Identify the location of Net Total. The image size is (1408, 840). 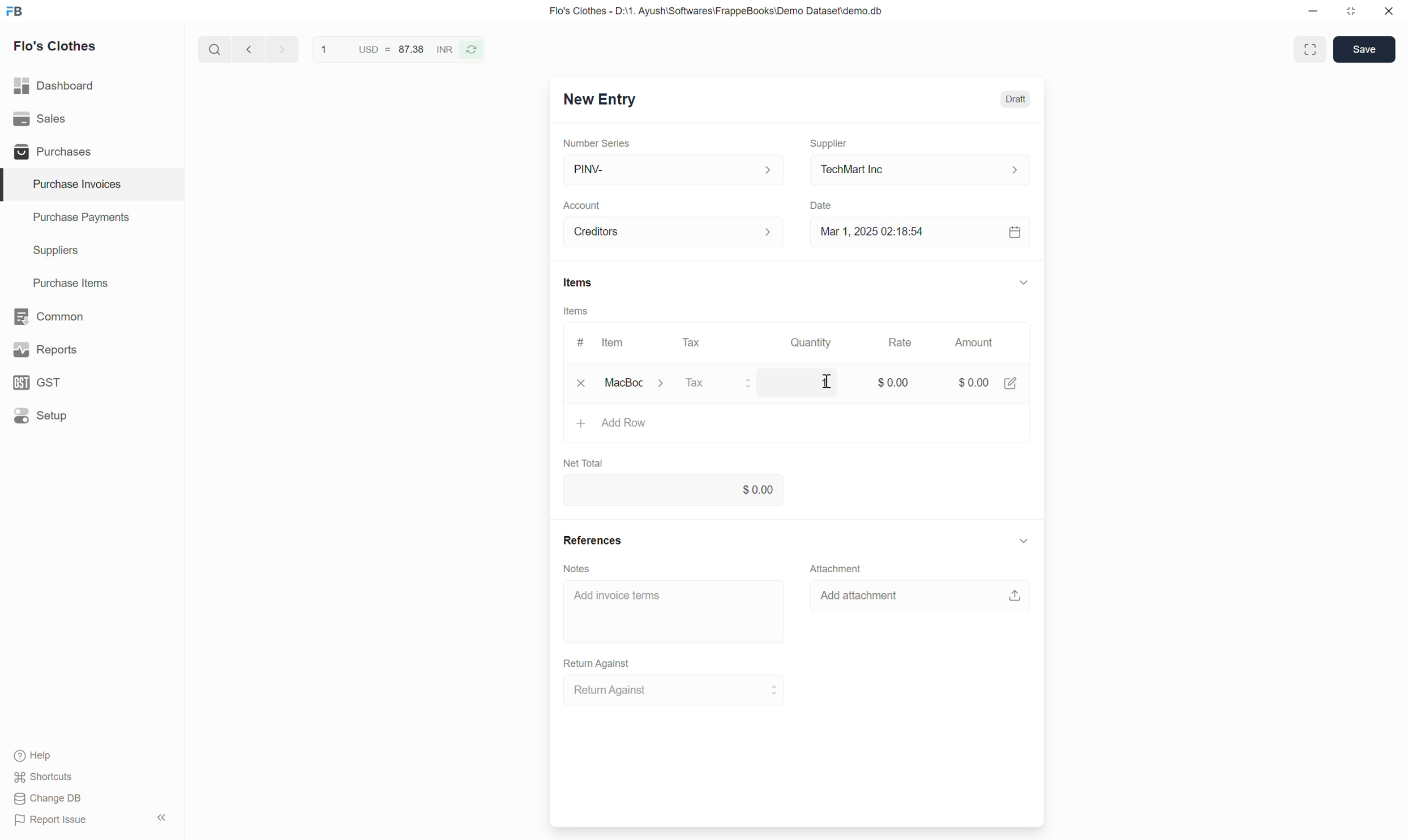
(584, 464).